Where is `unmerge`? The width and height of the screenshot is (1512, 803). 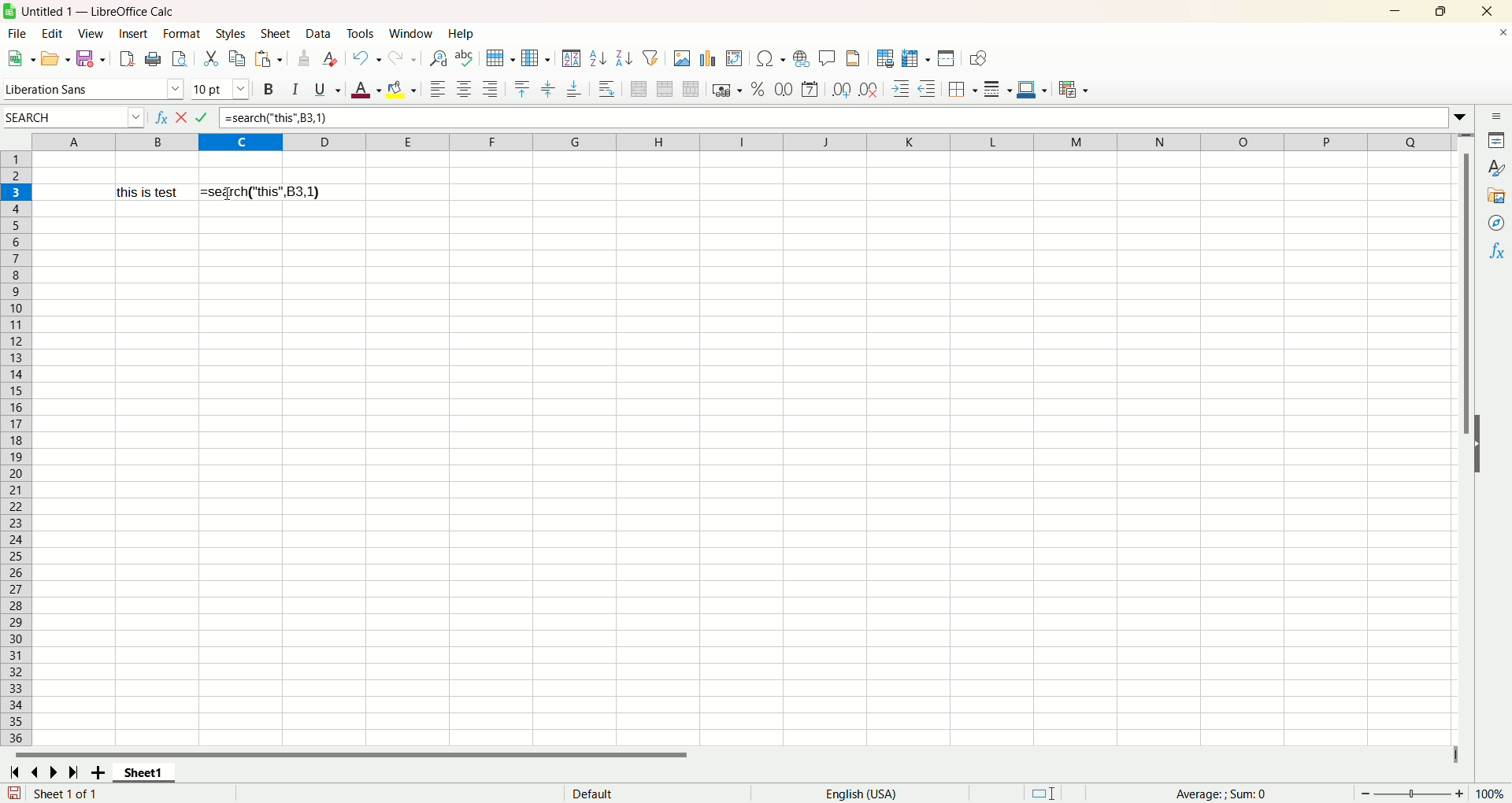 unmerge is located at coordinates (691, 89).